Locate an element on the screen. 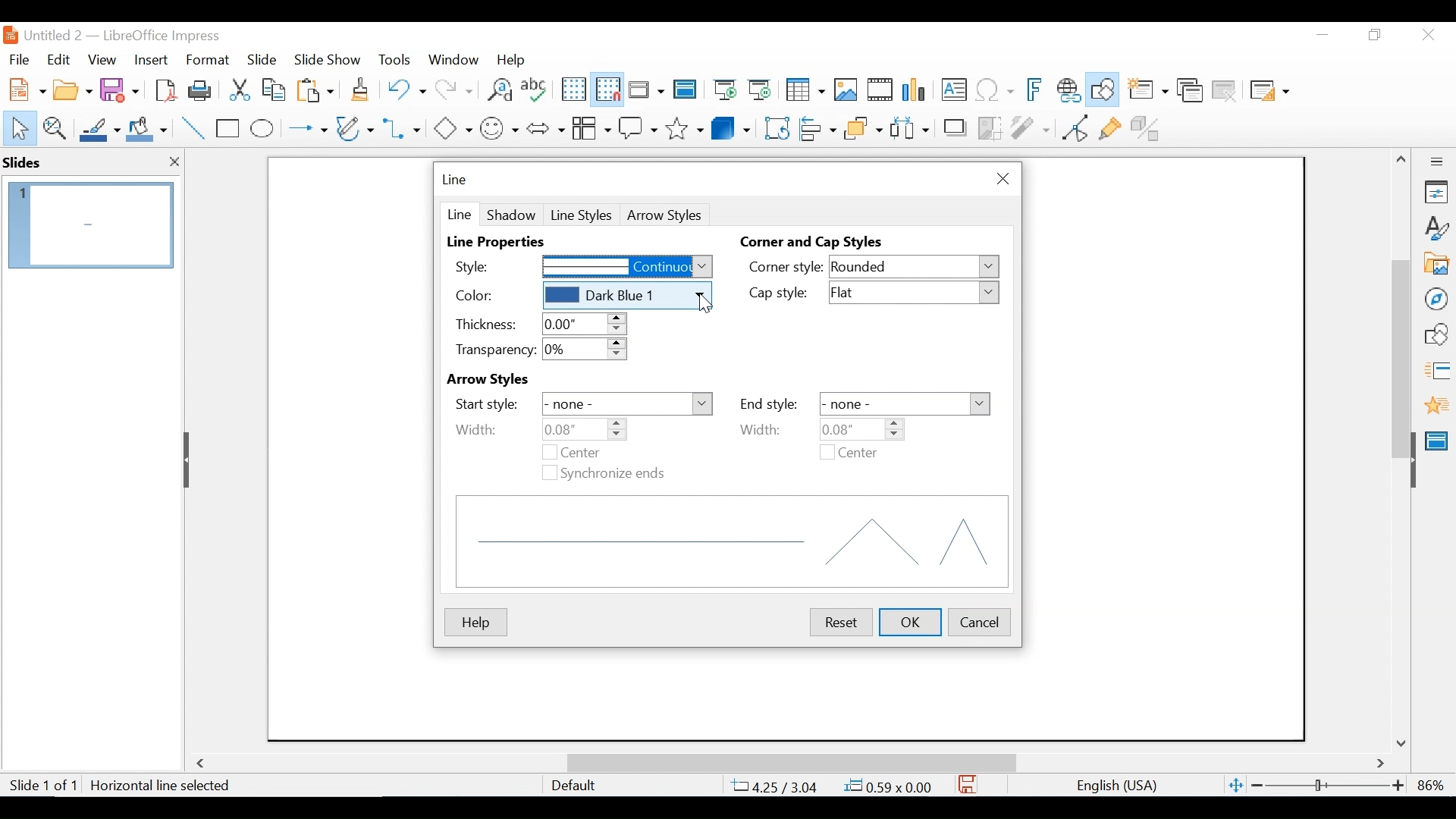 The height and width of the screenshot is (819, 1456). 86% is located at coordinates (1434, 785).